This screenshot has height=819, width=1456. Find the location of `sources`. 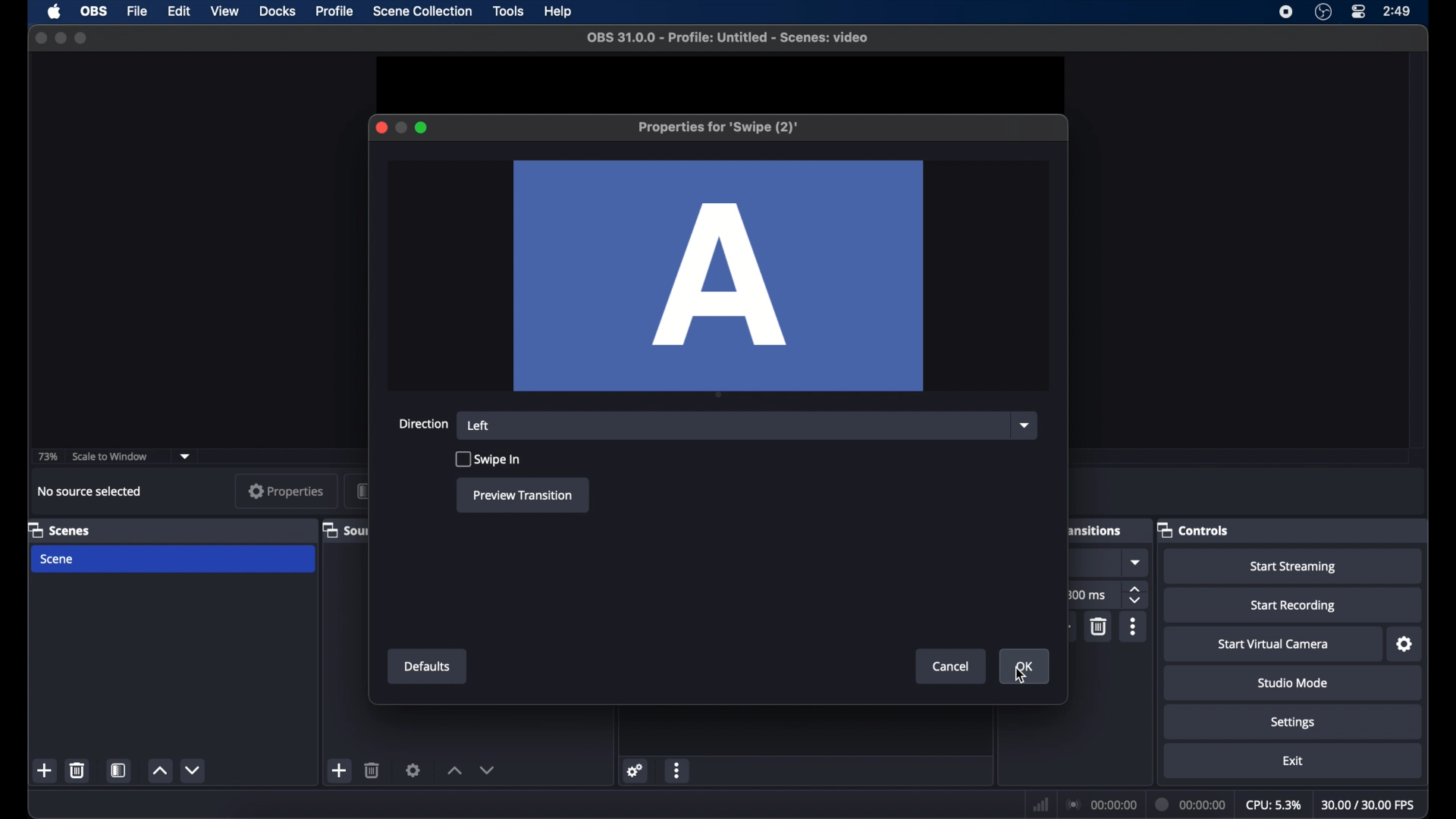

sources is located at coordinates (344, 530).